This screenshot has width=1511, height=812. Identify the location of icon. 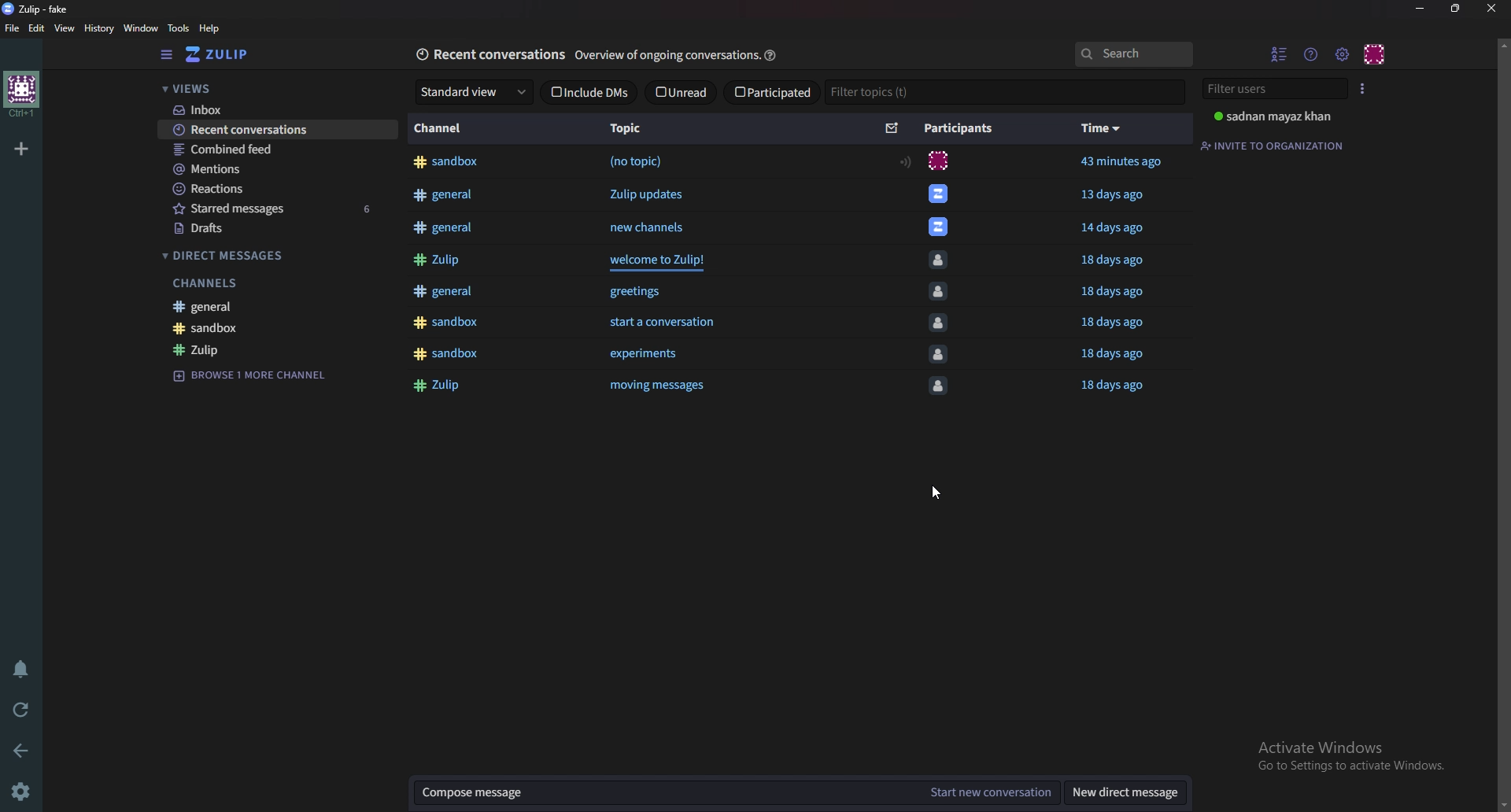
(939, 295).